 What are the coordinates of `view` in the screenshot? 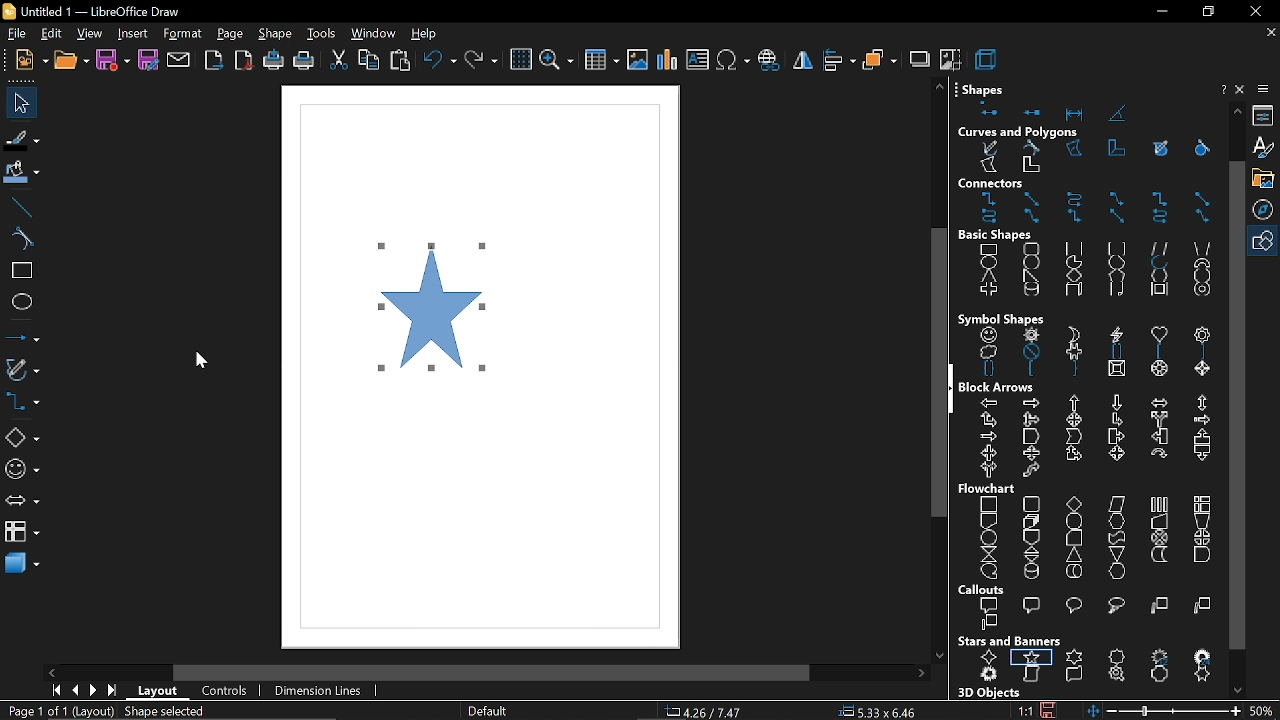 It's located at (87, 34).